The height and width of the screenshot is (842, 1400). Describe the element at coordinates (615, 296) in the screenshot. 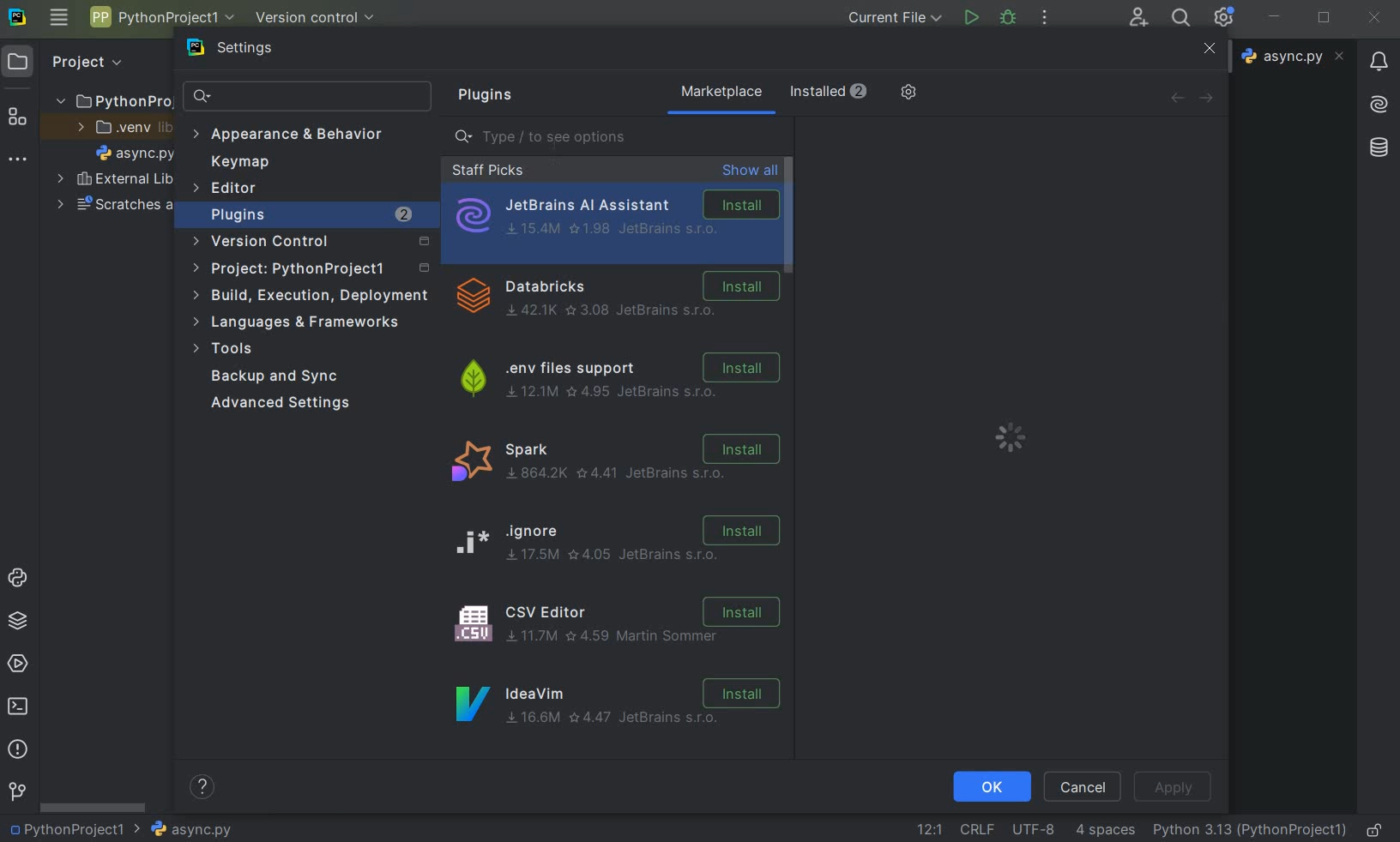

I see `Dtabricks` at that location.